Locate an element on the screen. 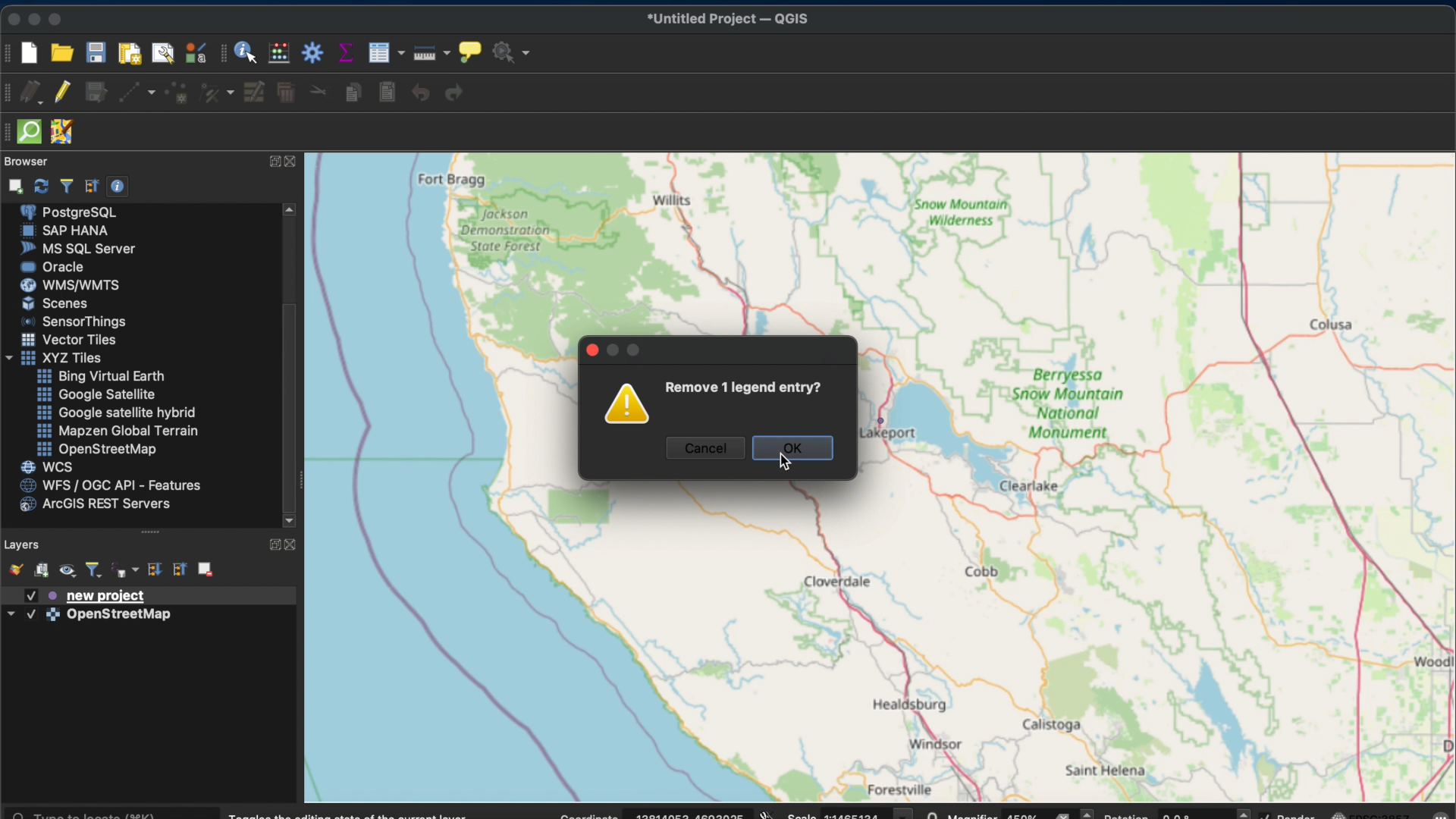 The image size is (1456, 819). CONTRACT is located at coordinates (293, 546).